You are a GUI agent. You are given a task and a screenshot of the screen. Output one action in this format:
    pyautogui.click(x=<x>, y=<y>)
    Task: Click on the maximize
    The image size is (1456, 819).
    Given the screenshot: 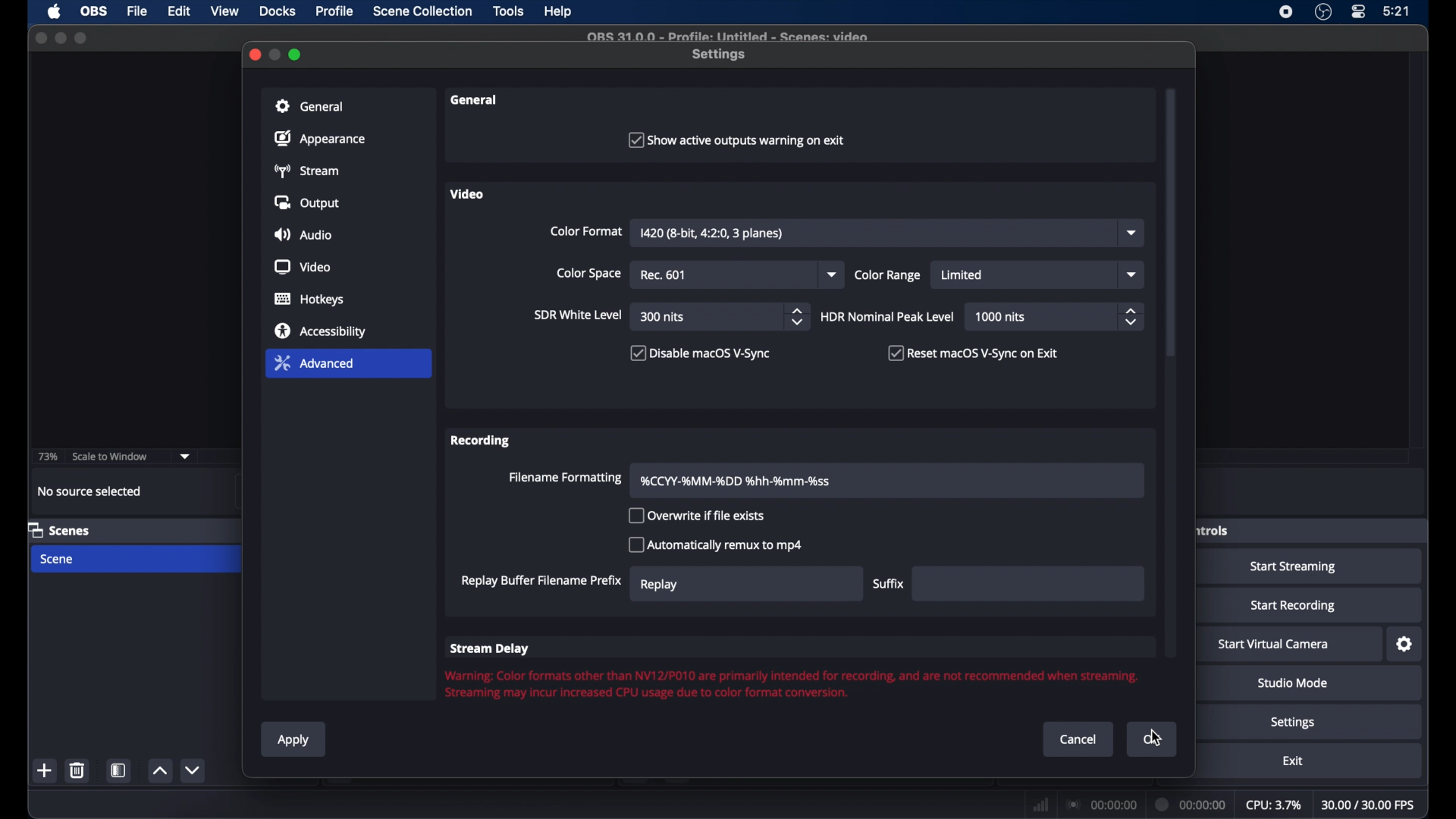 What is the action you would take?
    pyautogui.click(x=297, y=55)
    